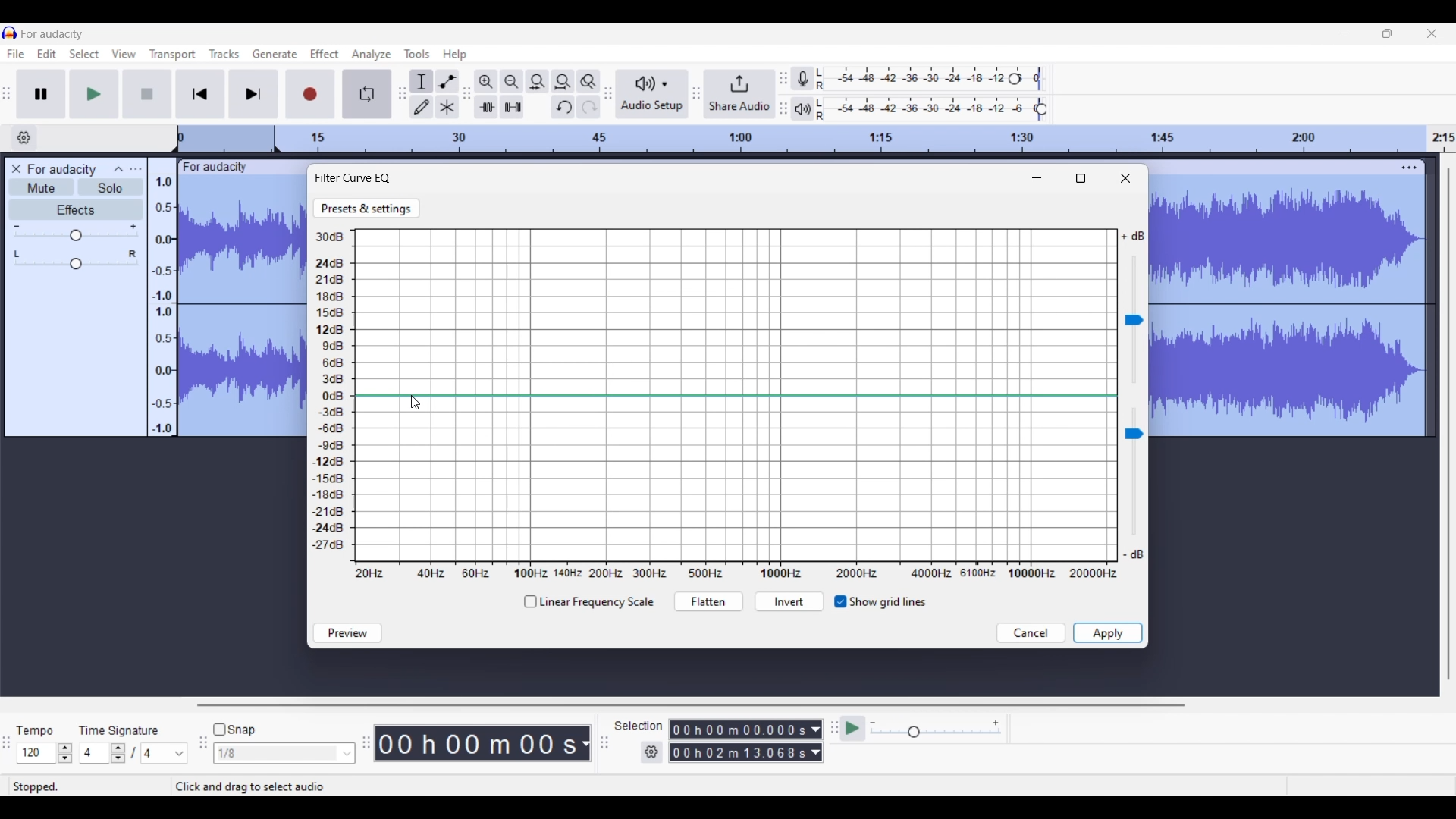 This screenshot has width=1456, height=819. Describe the element at coordinates (815, 741) in the screenshot. I see `Selection duration measurement` at that location.